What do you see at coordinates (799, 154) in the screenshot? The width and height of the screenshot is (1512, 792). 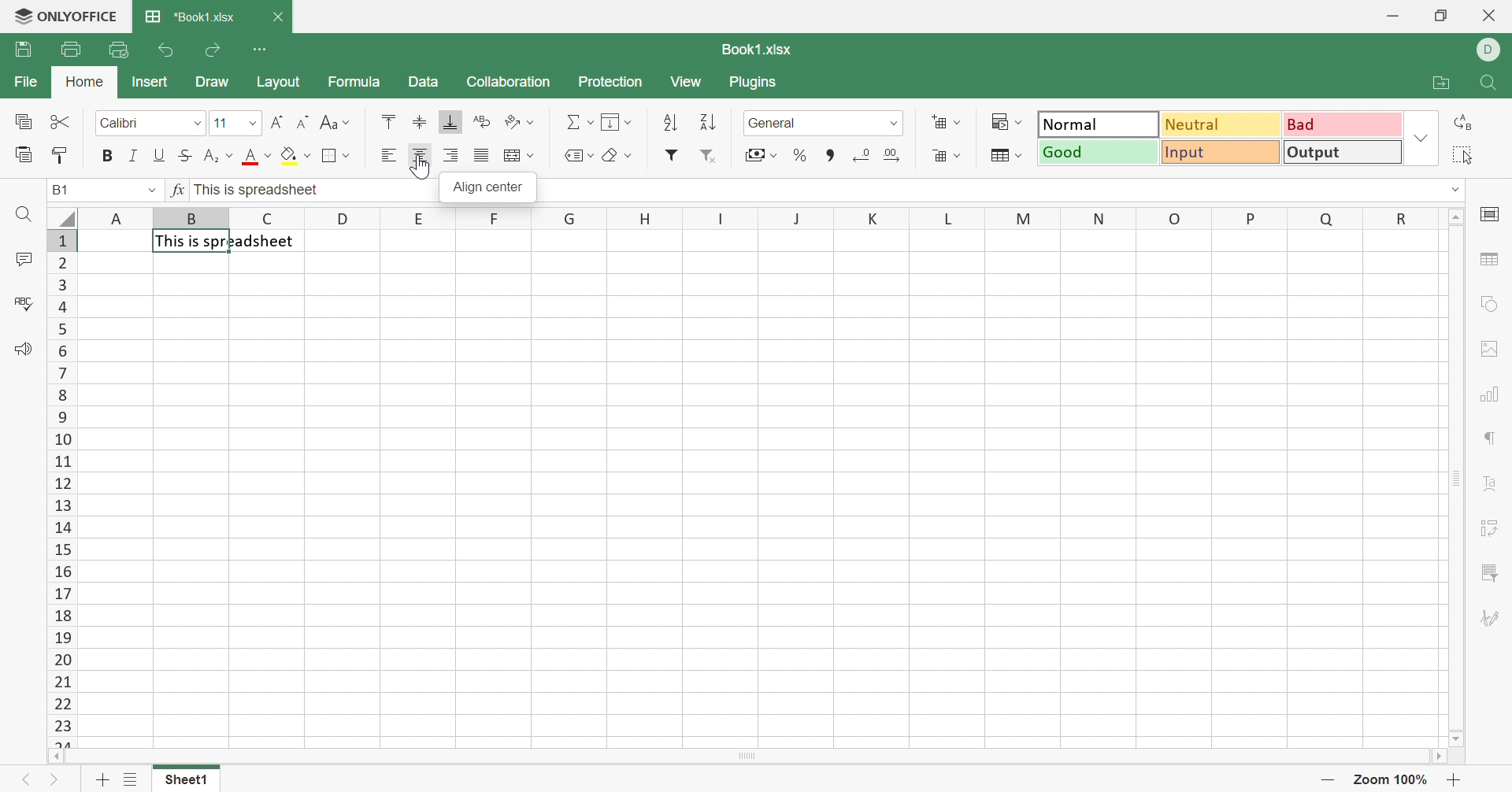 I see `Percentage styles` at bounding box center [799, 154].